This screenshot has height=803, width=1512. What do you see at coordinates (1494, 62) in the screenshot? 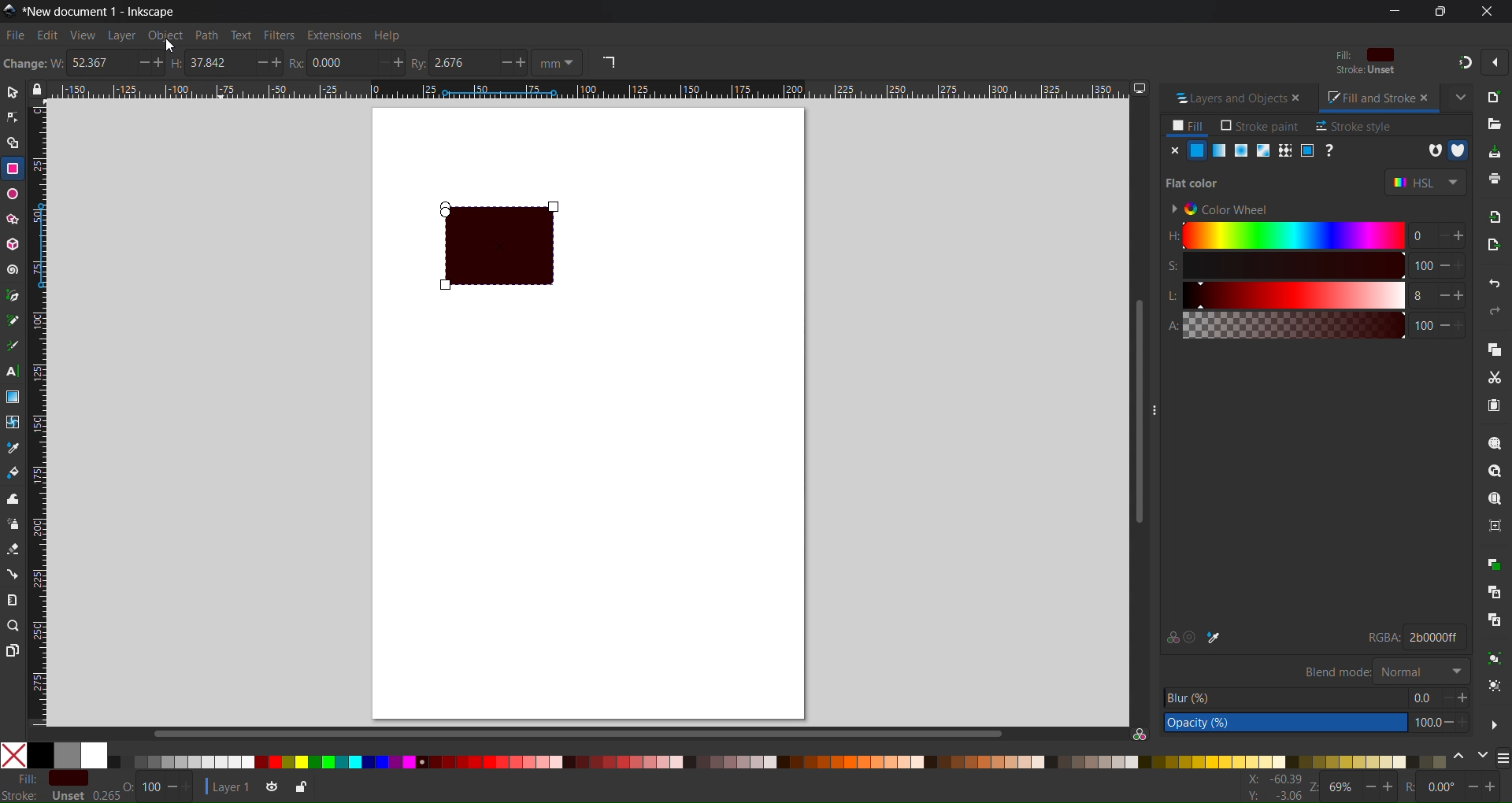
I see `Enable snapping` at bounding box center [1494, 62].